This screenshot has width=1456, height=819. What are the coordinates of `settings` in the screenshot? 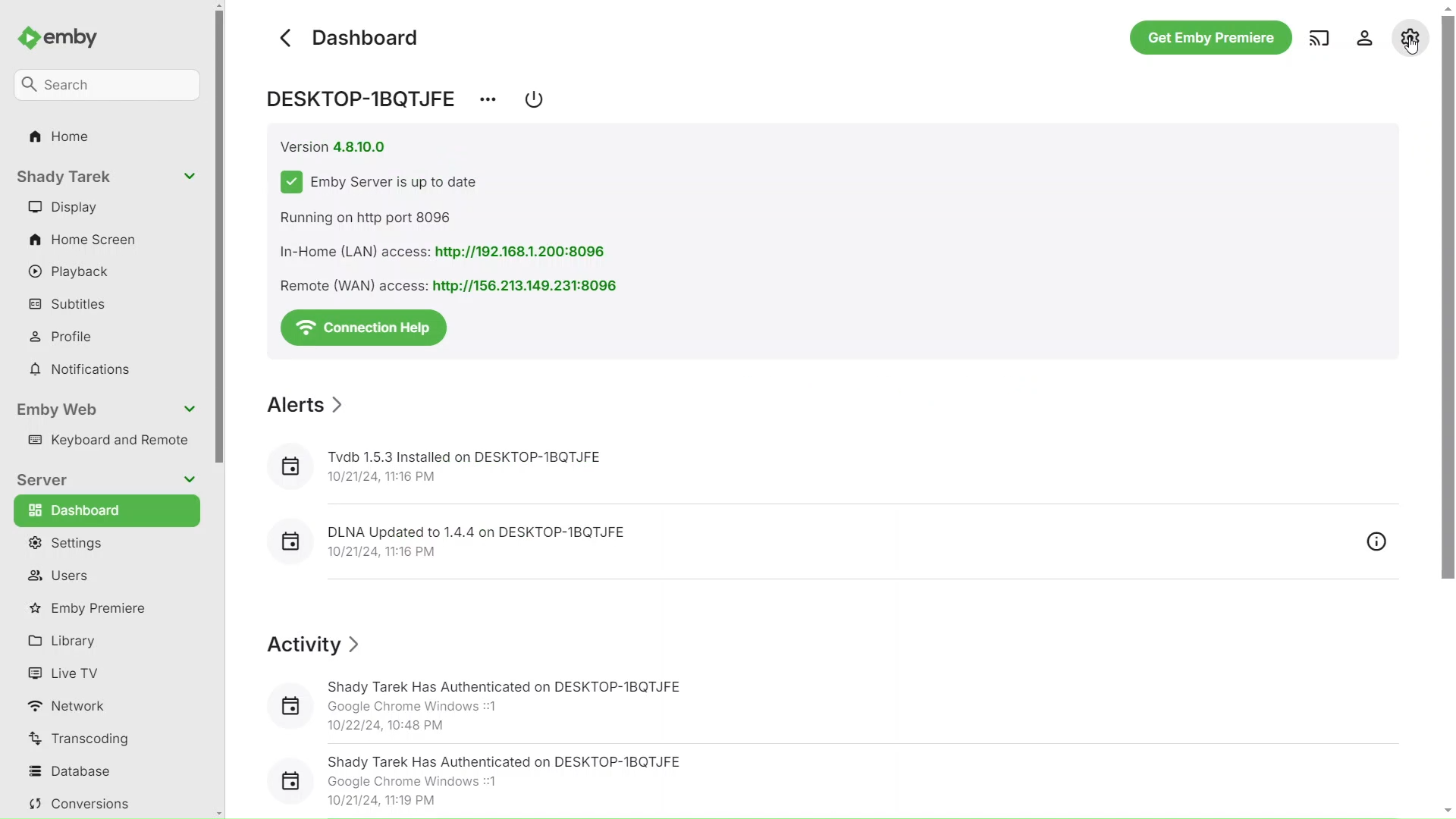 It's located at (1409, 36).